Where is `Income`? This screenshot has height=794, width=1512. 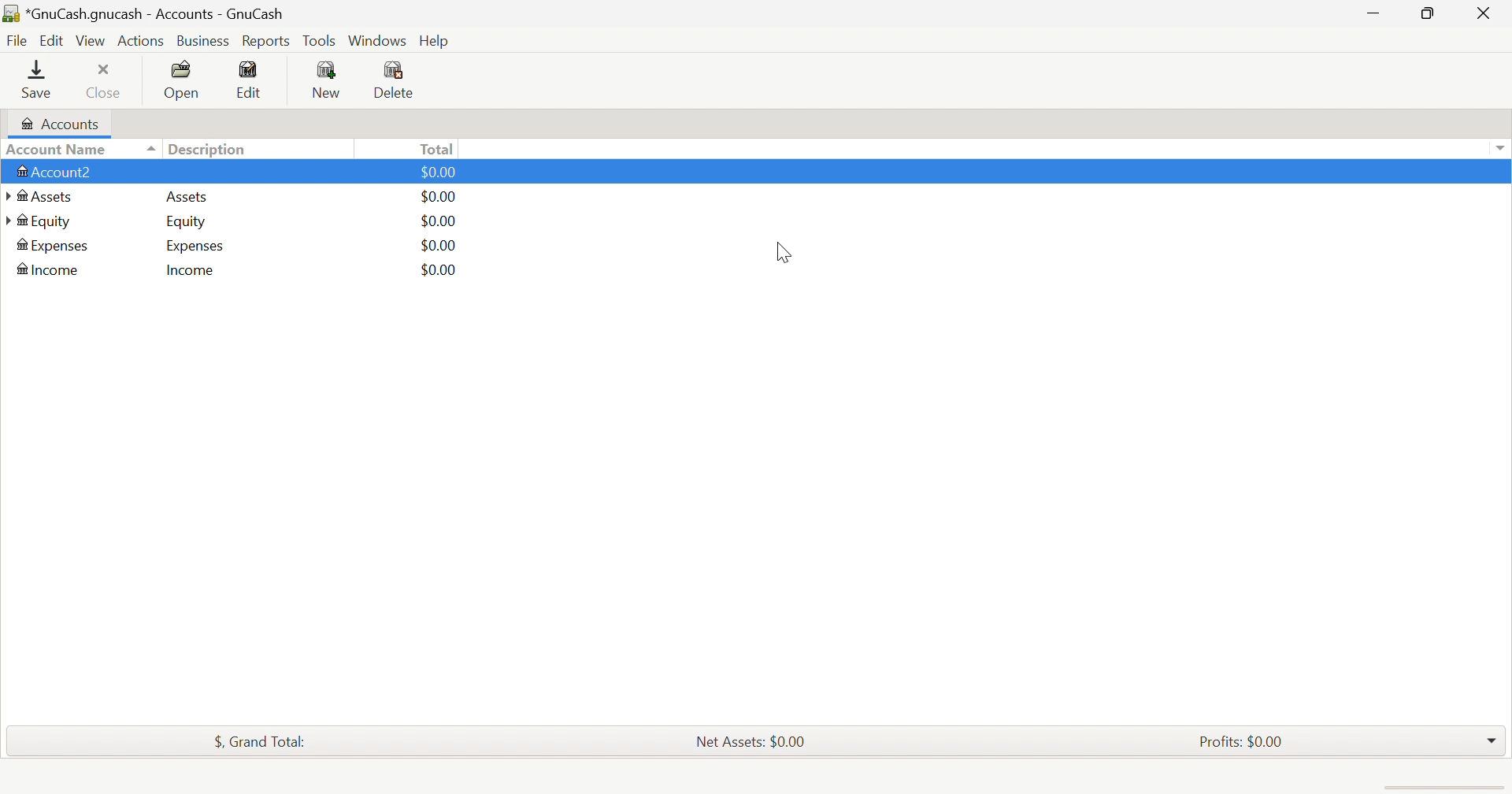 Income is located at coordinates (50, 269).